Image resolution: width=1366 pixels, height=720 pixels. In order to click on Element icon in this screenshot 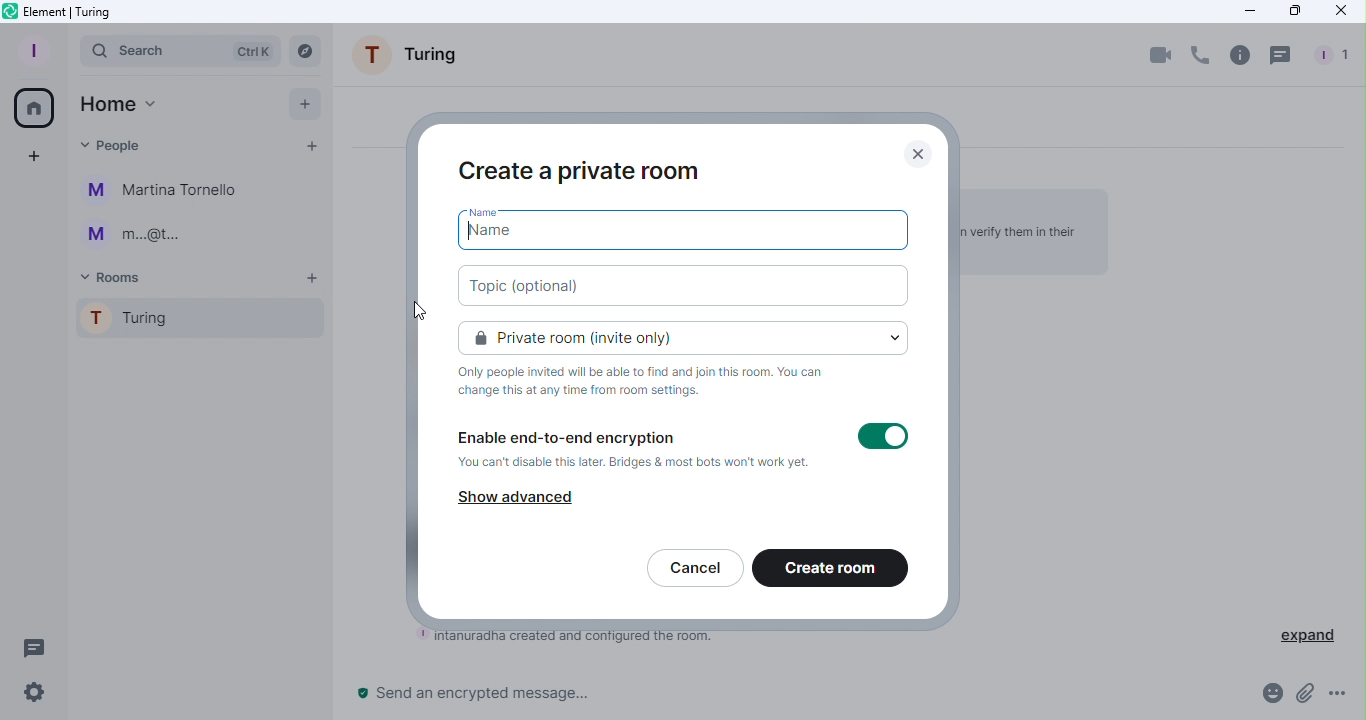, I will do `click(69, 12)`.